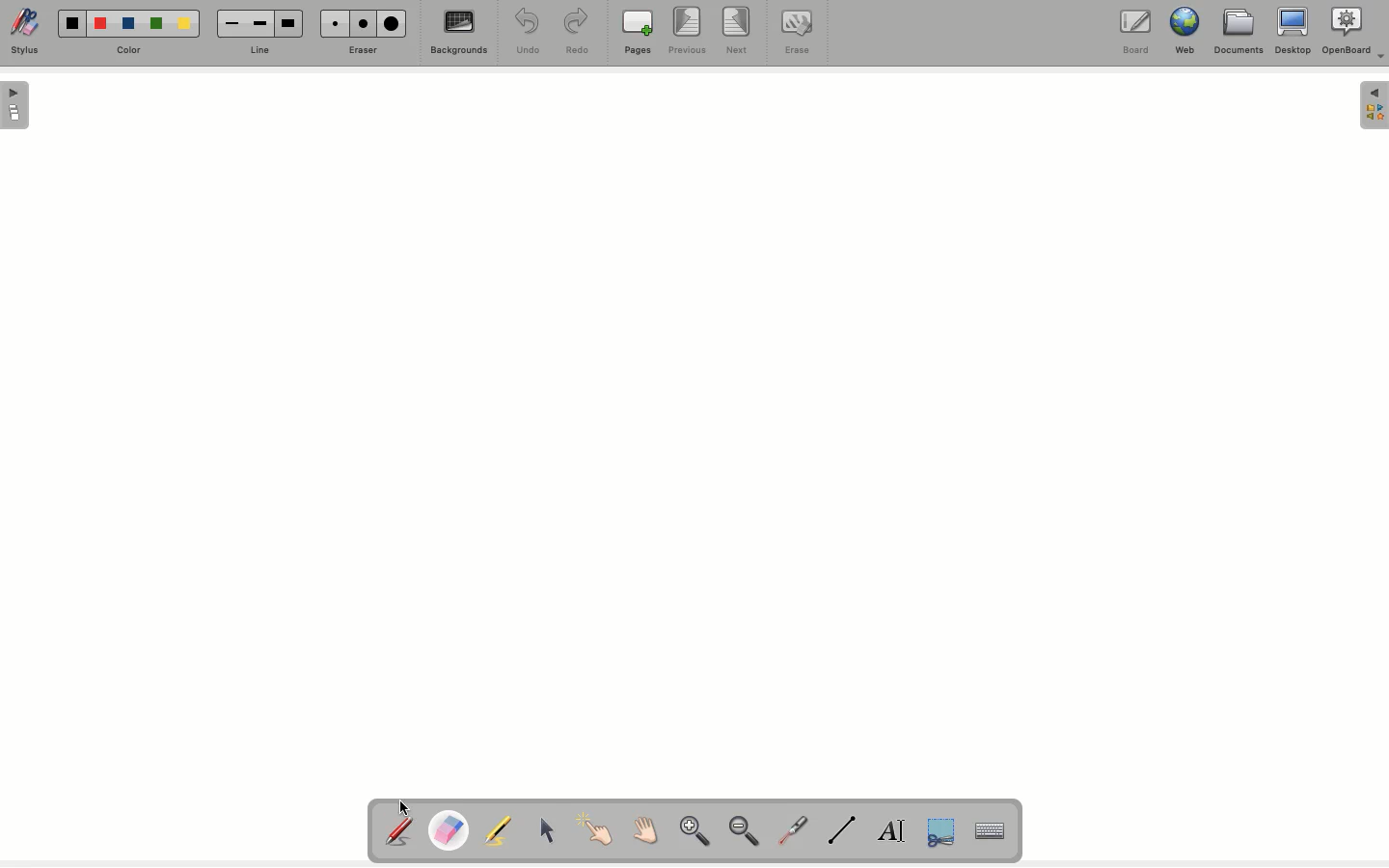  What do you see at coordinates (502, 830) in the screenshot?
I see `Highlighter` at bounding box center [502, 830].